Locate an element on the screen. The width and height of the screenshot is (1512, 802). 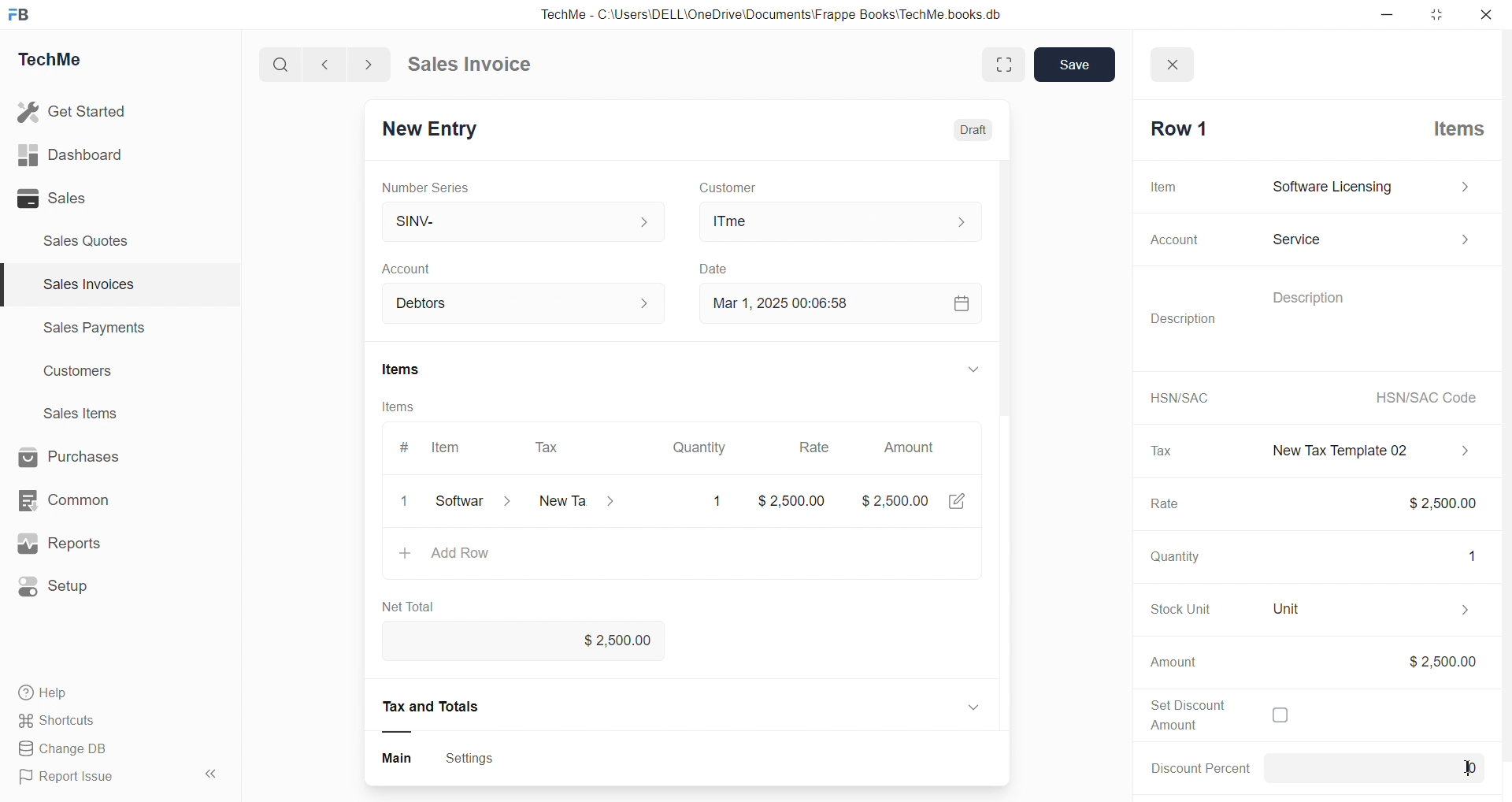
Search buton is located at coordinates (283, 65).